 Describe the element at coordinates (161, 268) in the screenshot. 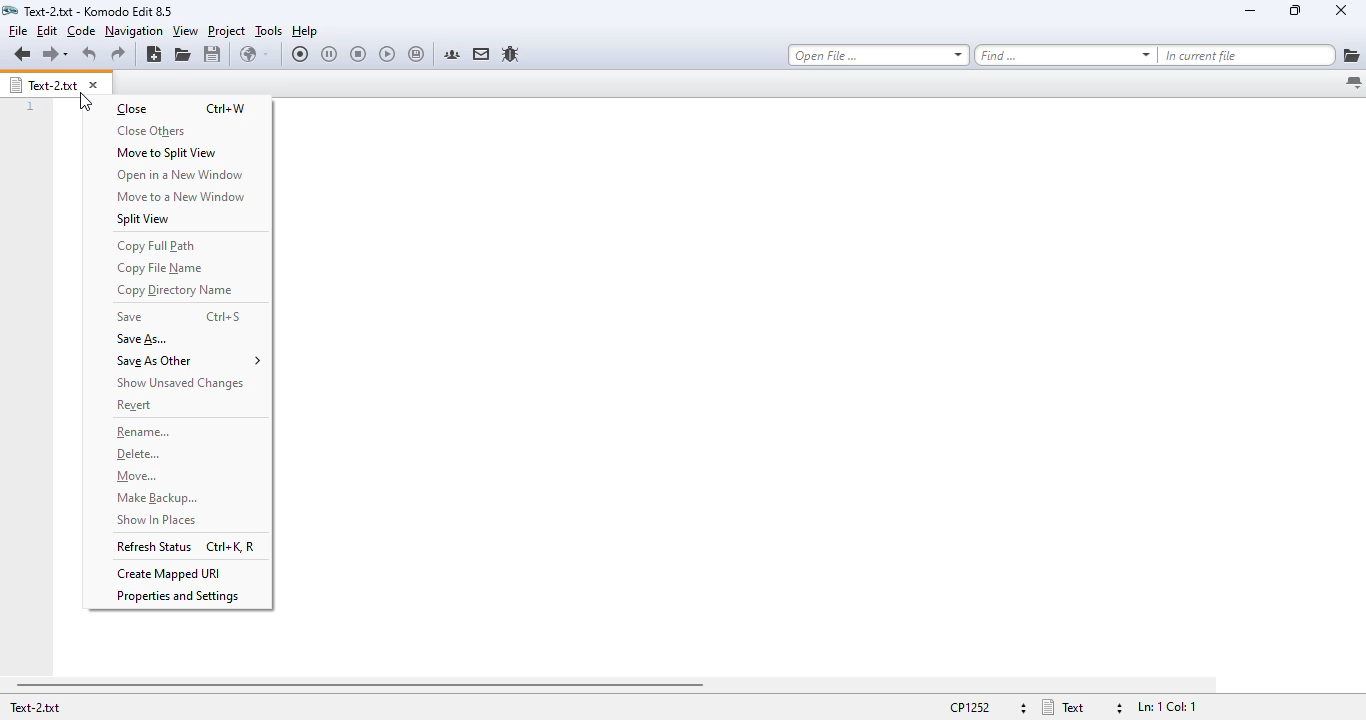

I see `copy file name` at that location.